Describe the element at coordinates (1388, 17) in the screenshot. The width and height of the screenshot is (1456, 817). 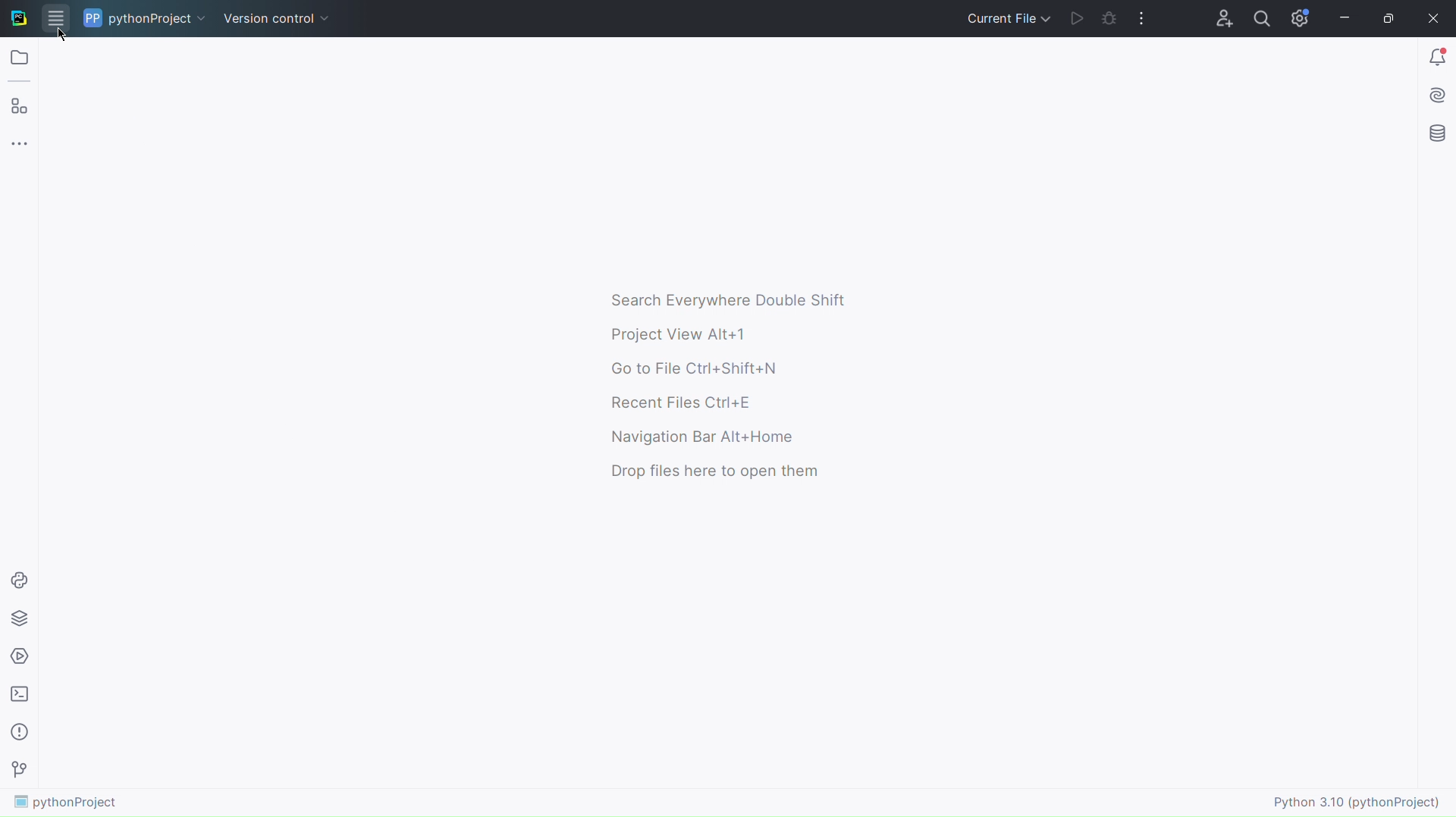
I see `Maximize` at that location.